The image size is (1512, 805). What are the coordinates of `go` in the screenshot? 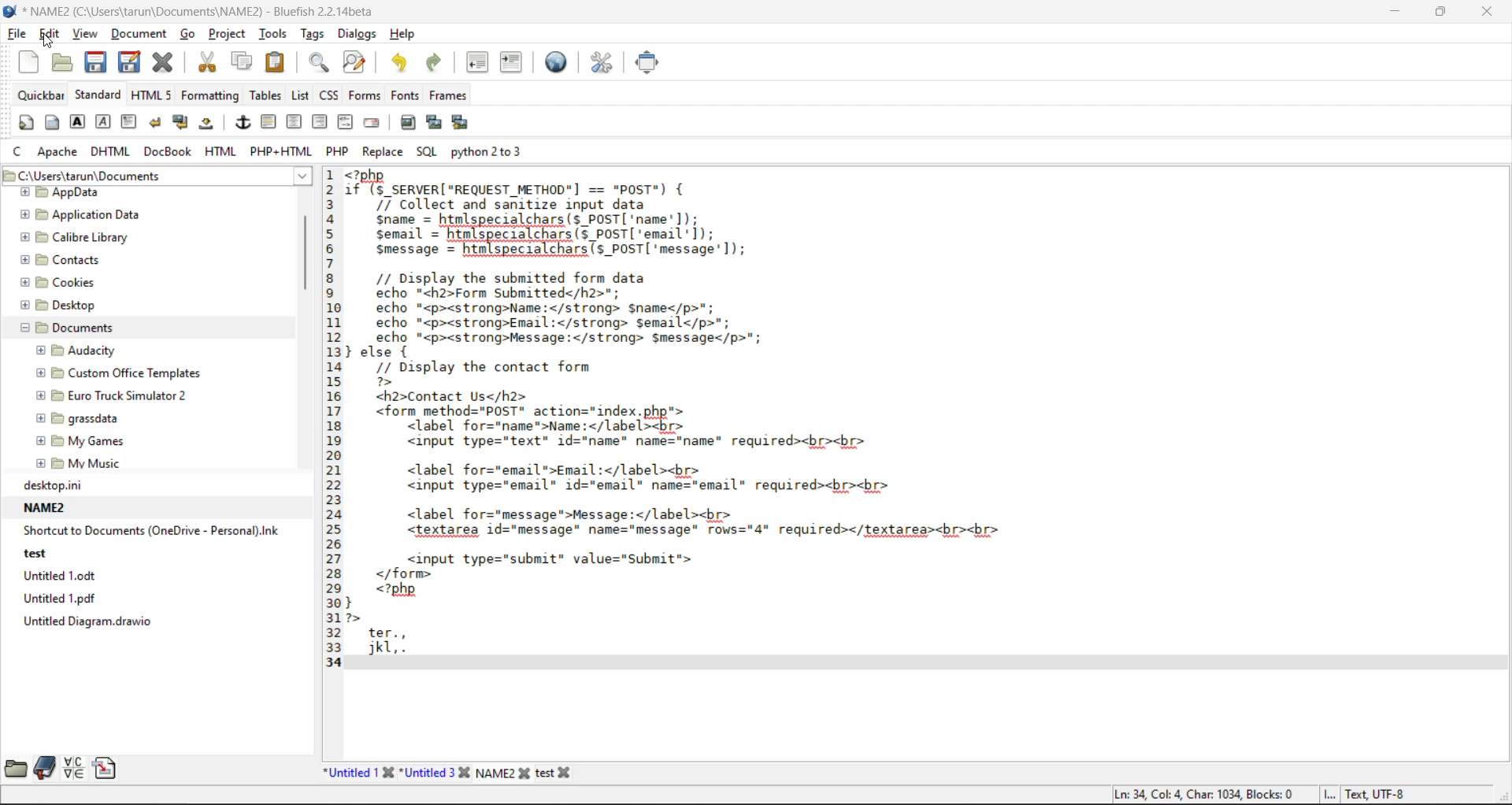 It's located at (189, 35).